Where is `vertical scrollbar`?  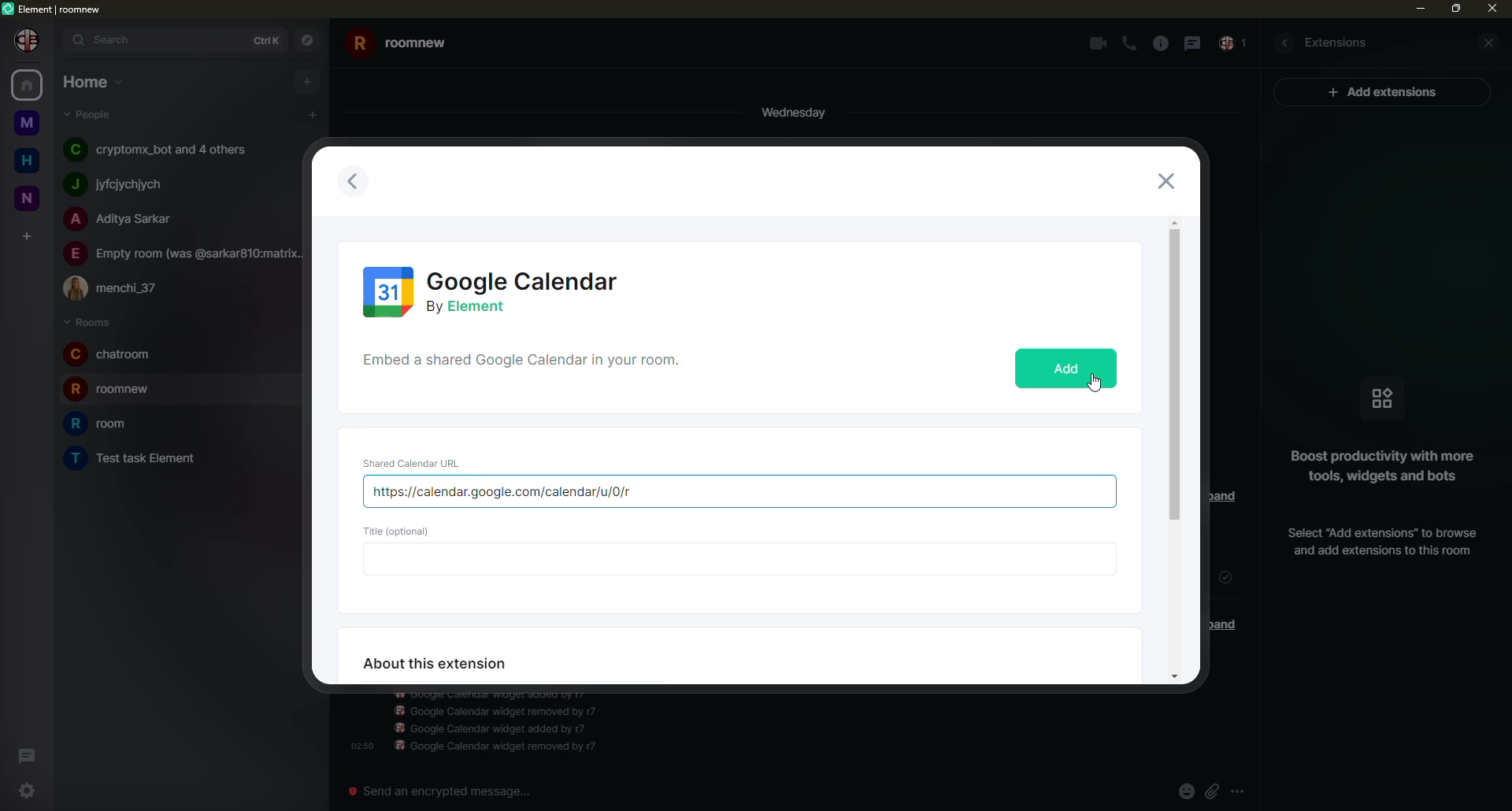 vertical scrollbar is located at coordinates (1503, 428).